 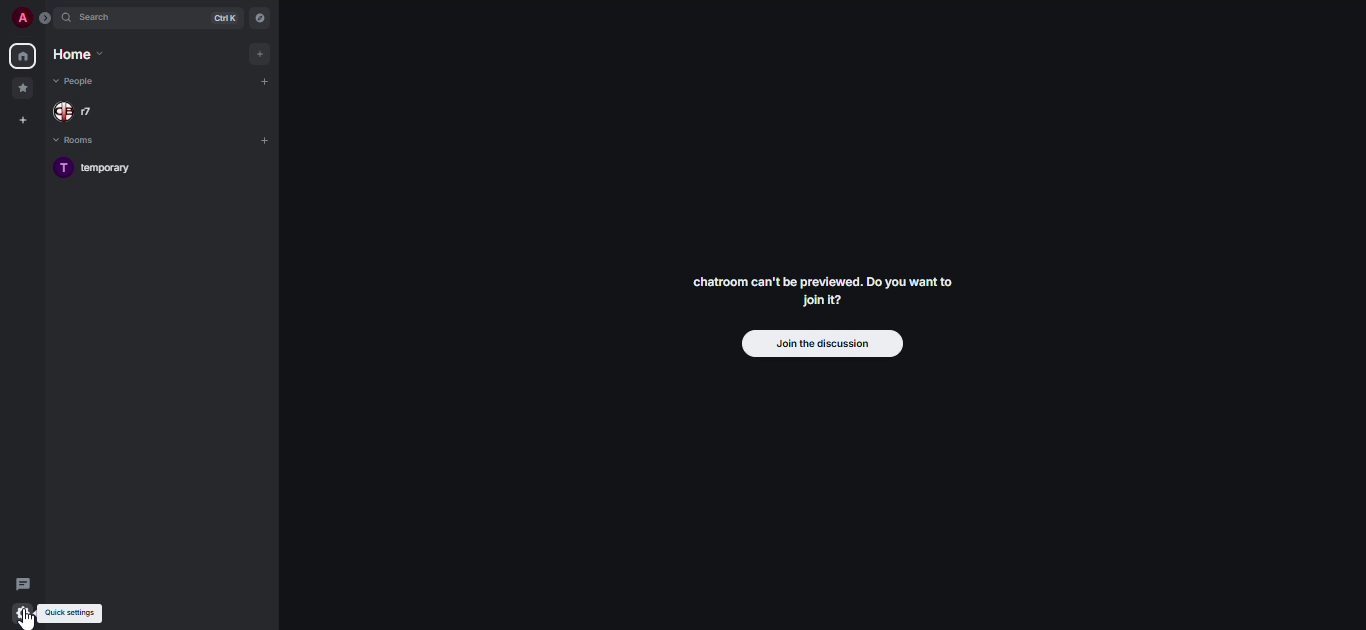 What do you see at coordinates (262, 54) in the screenshot?
I see `add` at bounding box center [262, 54].